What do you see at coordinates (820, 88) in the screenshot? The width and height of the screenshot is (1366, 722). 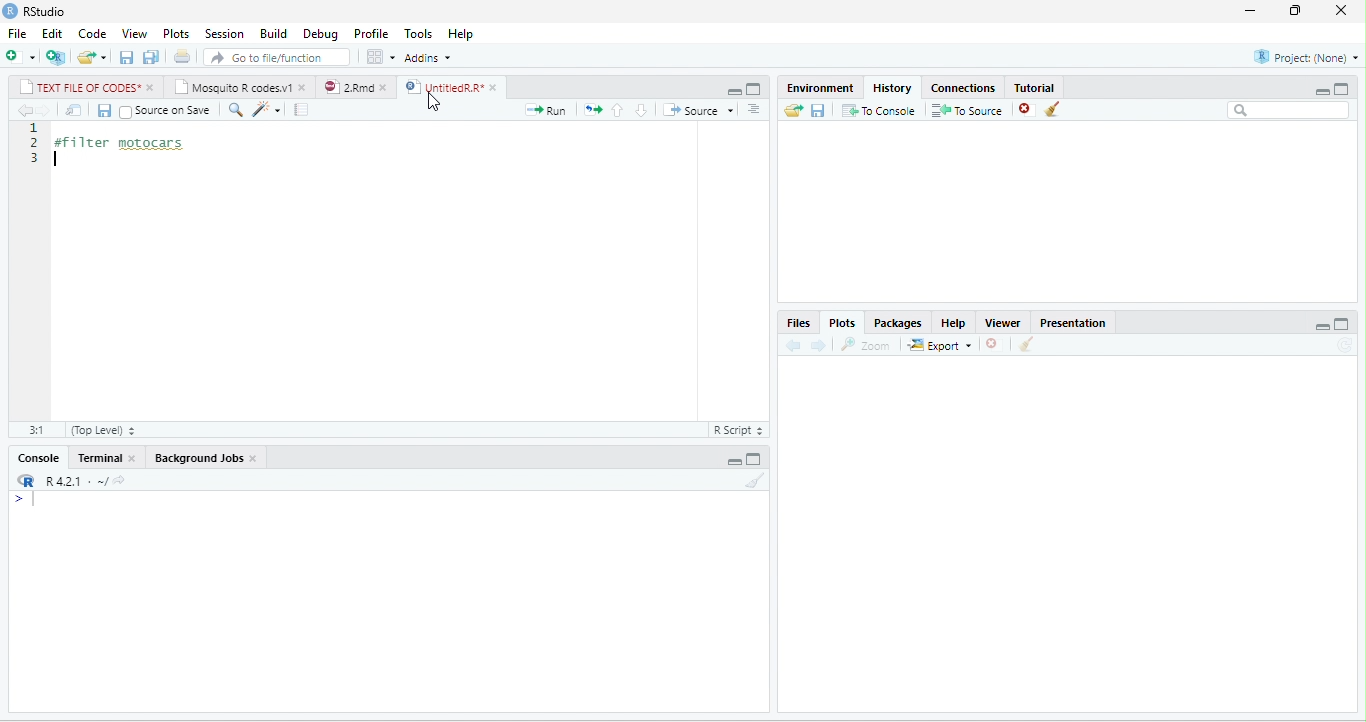 I see `Environment` at bounding box center [820, 88].